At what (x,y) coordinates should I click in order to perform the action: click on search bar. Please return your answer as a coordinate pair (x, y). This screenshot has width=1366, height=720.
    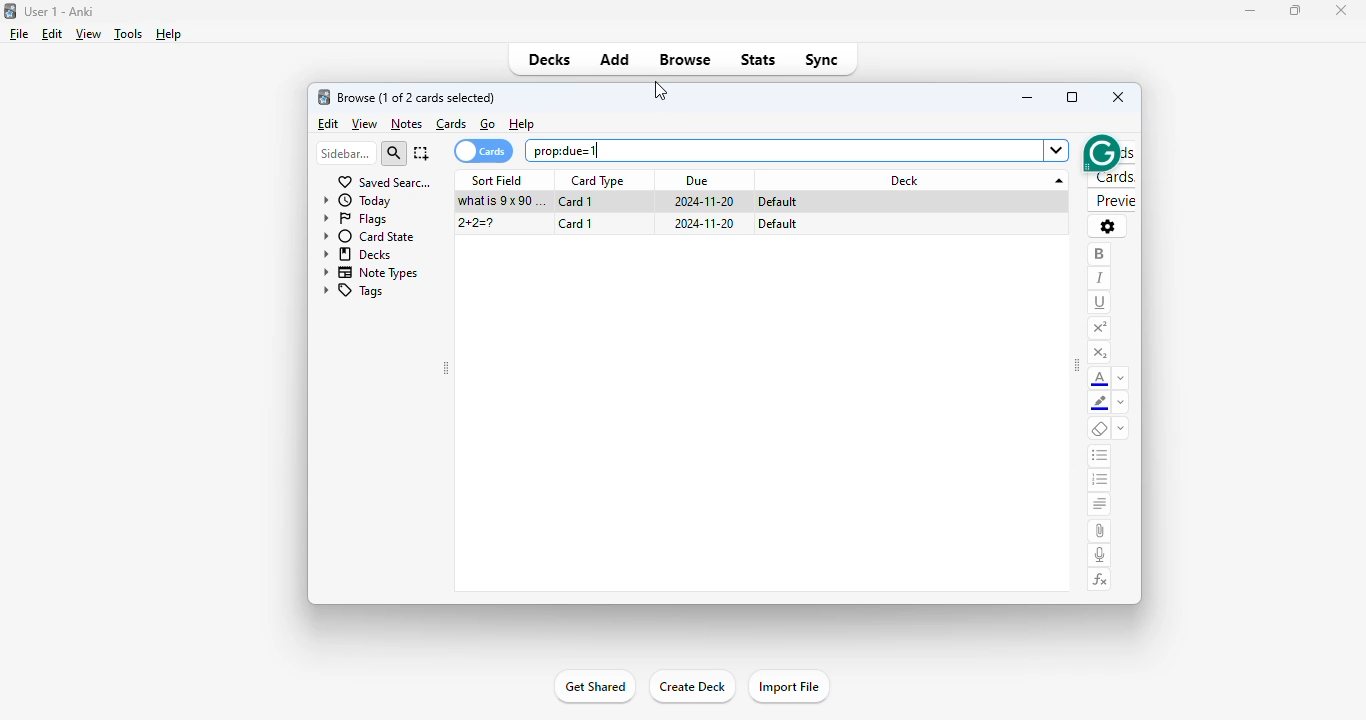
    Looking at the image, I should click on (798, 150).